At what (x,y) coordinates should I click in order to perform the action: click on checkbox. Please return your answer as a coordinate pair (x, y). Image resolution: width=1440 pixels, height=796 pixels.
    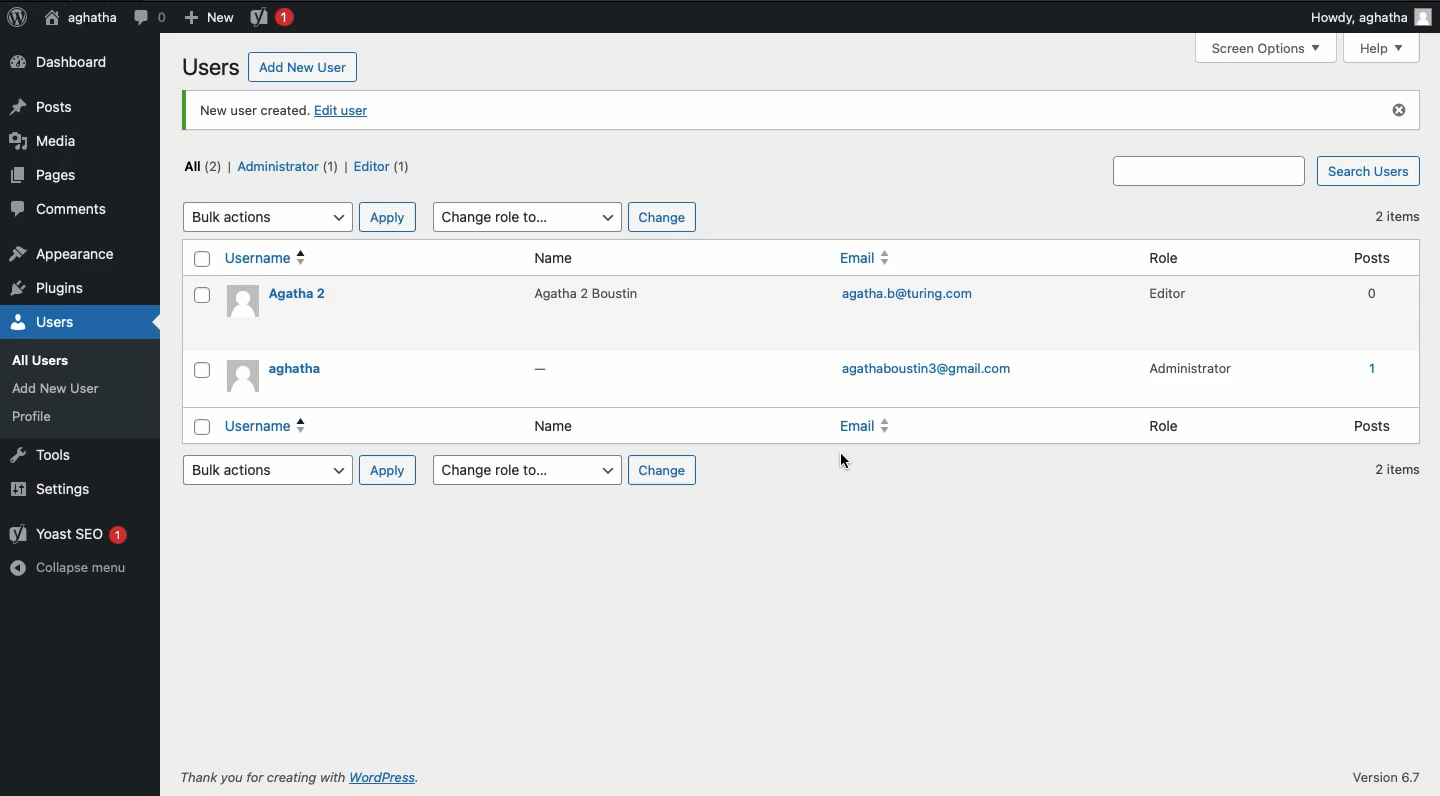
    Looking at the image, I should click on (200, 297).